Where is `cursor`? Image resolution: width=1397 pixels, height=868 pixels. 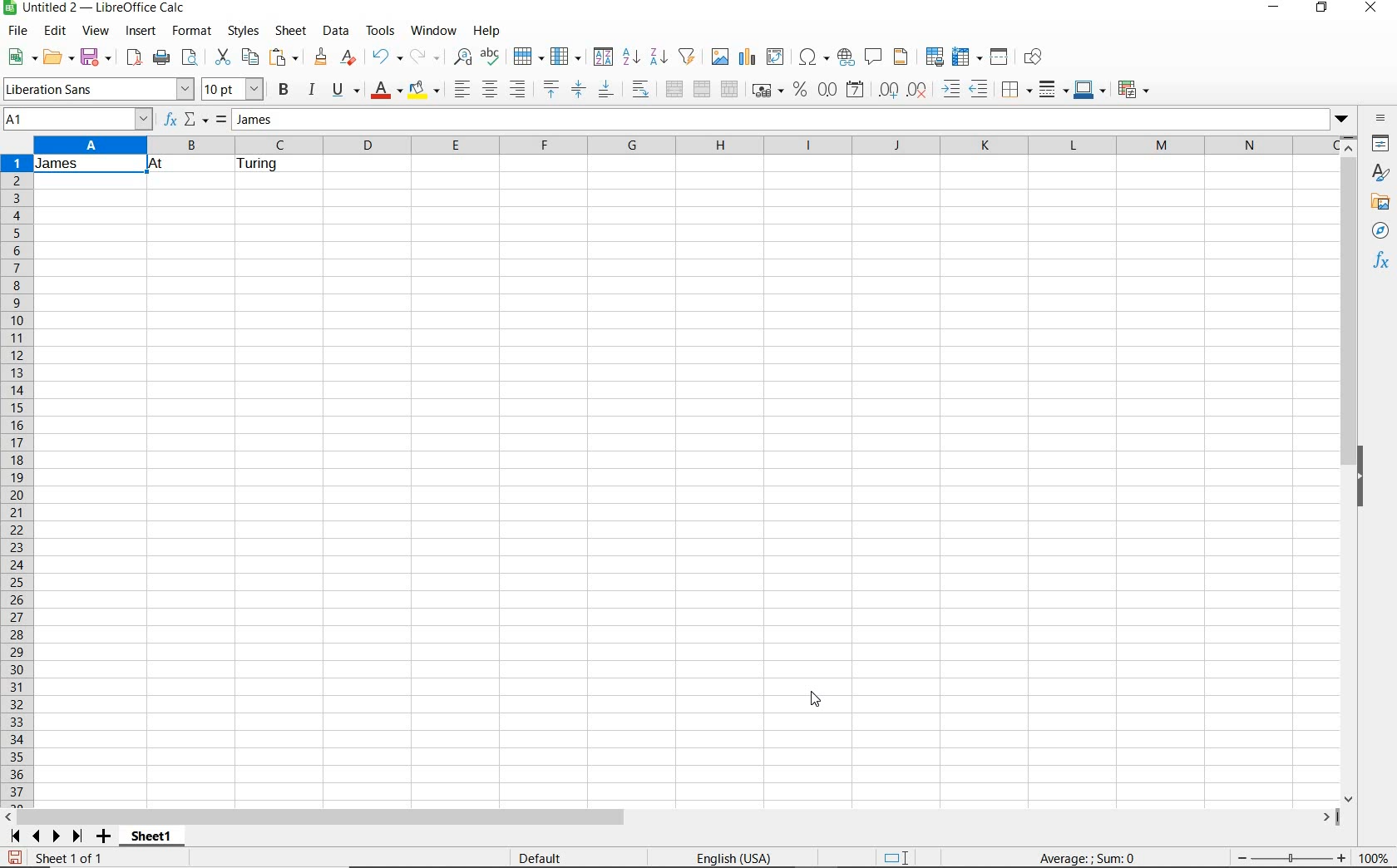
cursor is located at coordinates (817, 705).